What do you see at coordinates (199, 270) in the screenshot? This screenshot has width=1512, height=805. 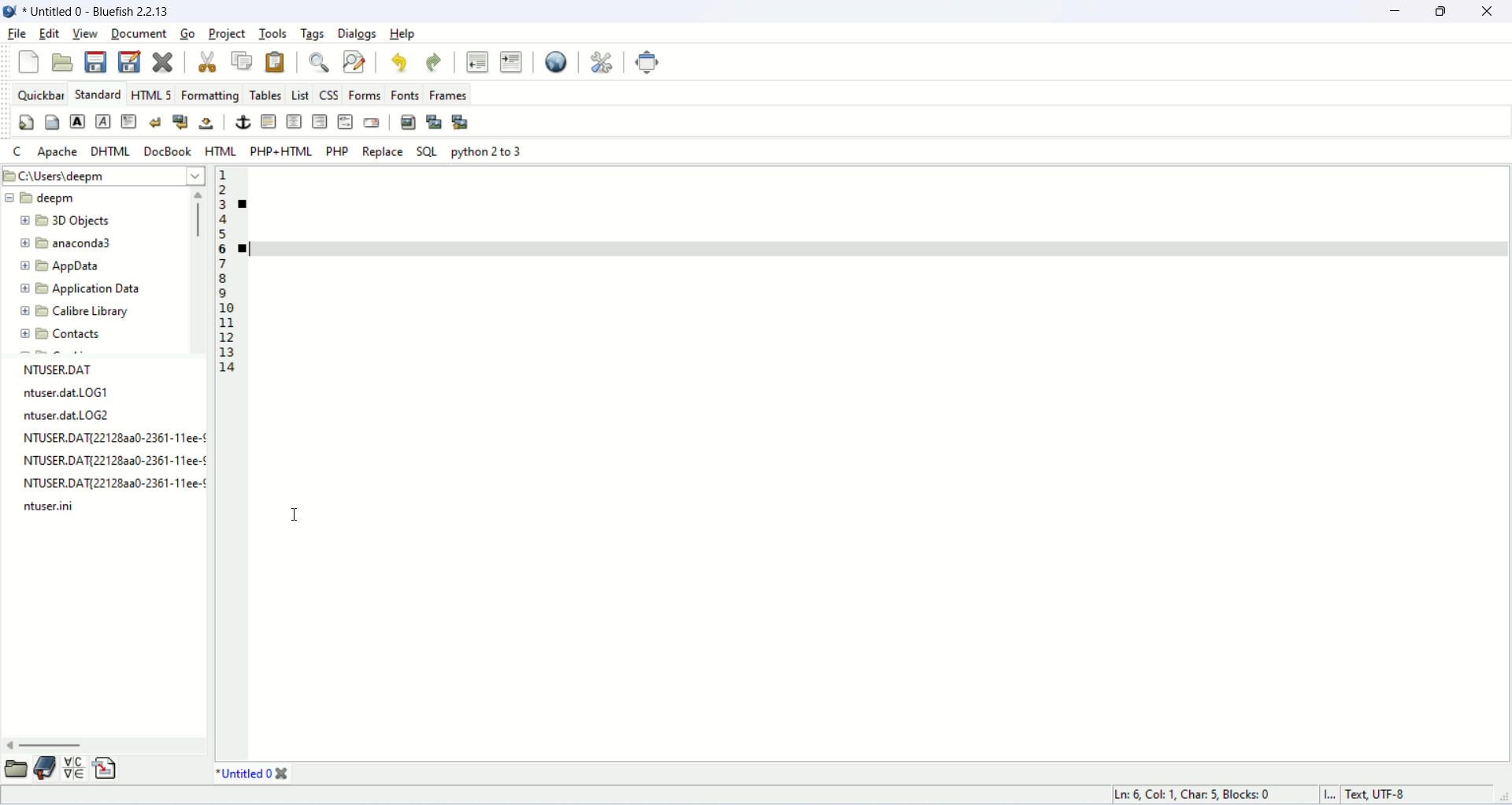 I see `scroll bar` at bounding box center [199, 270].